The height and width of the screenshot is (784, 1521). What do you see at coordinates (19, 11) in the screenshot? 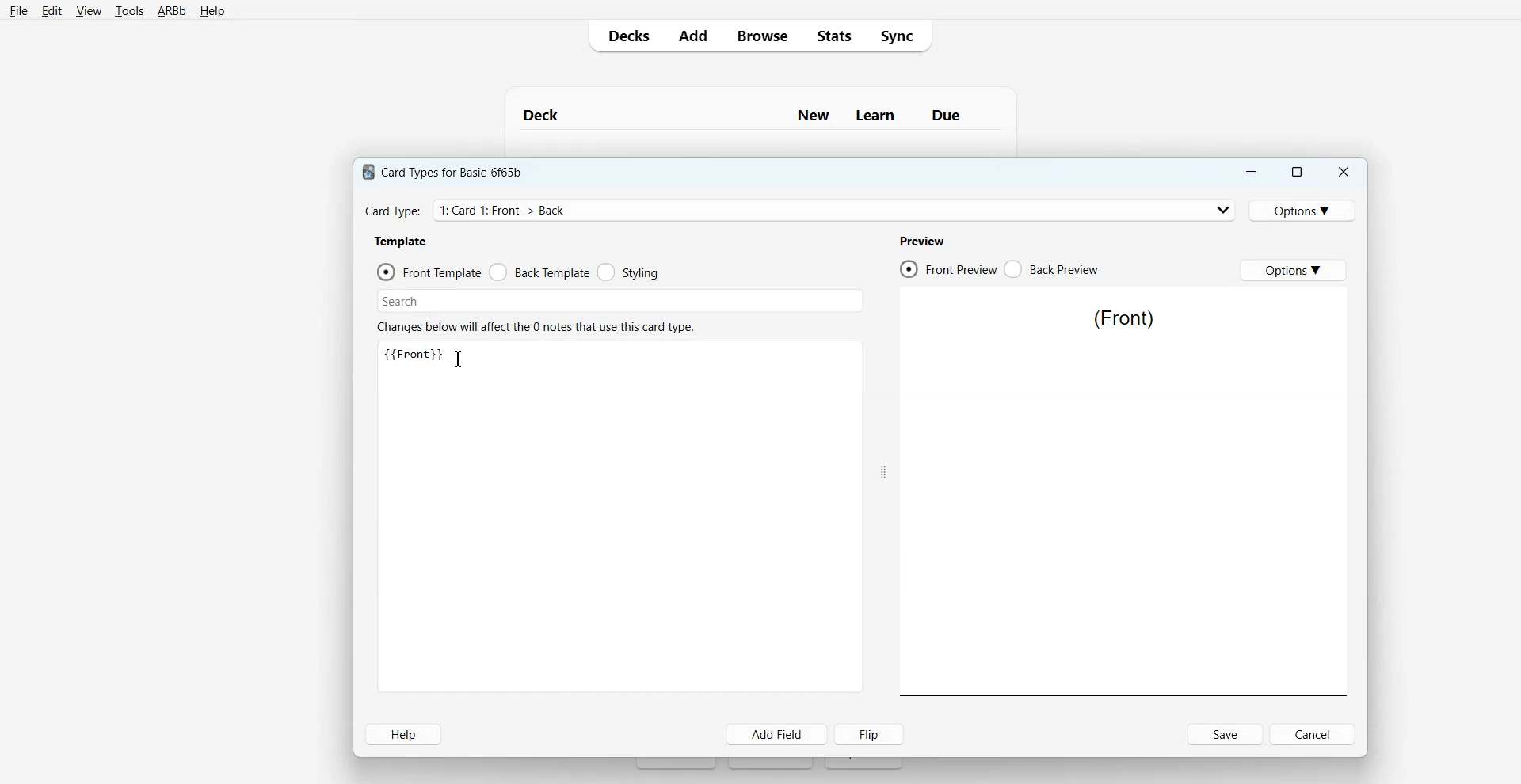
I see `File` at bounding box center [19, 11].